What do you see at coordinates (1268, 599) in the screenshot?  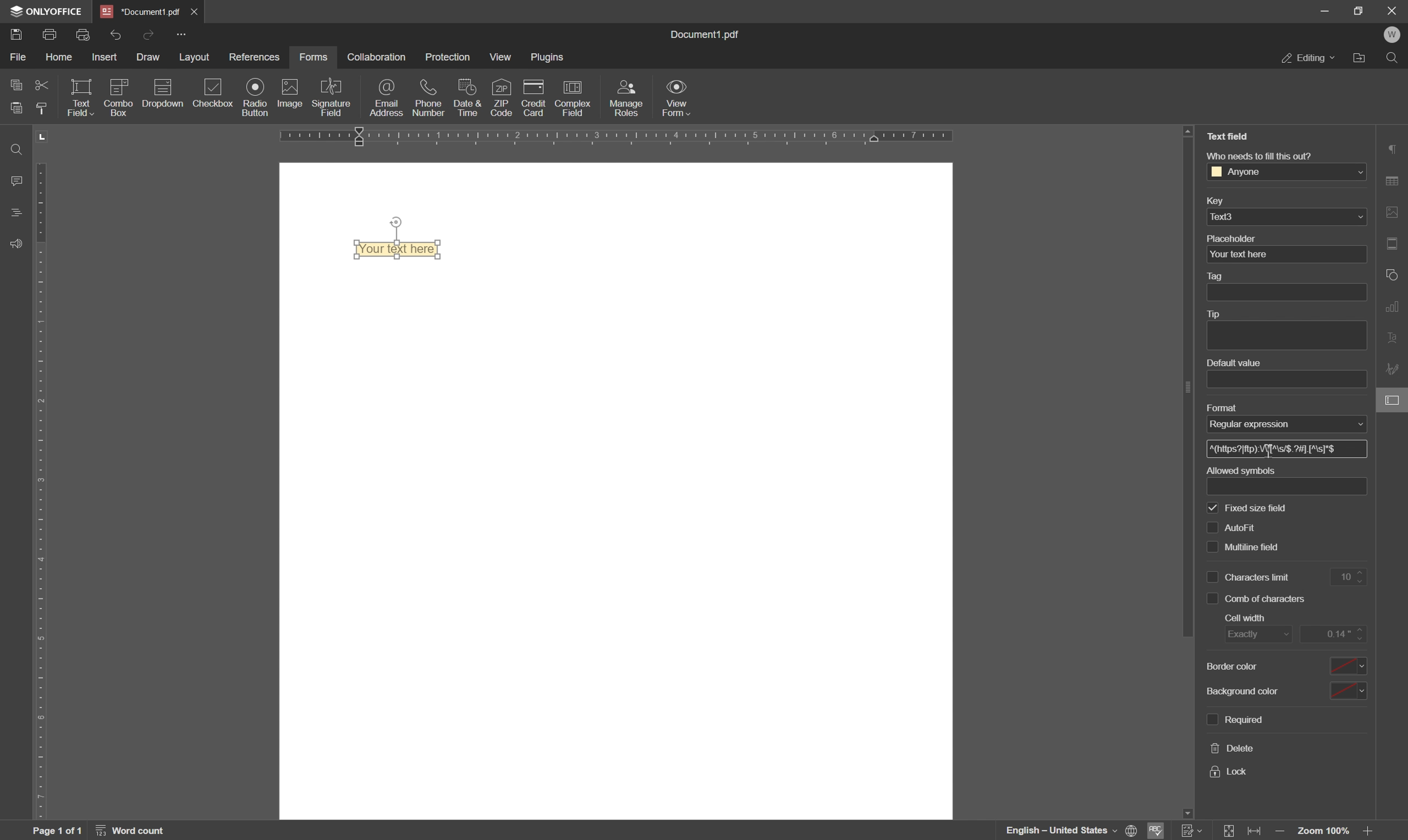 I see `comb of characters` at bounding box center [1268, 599].